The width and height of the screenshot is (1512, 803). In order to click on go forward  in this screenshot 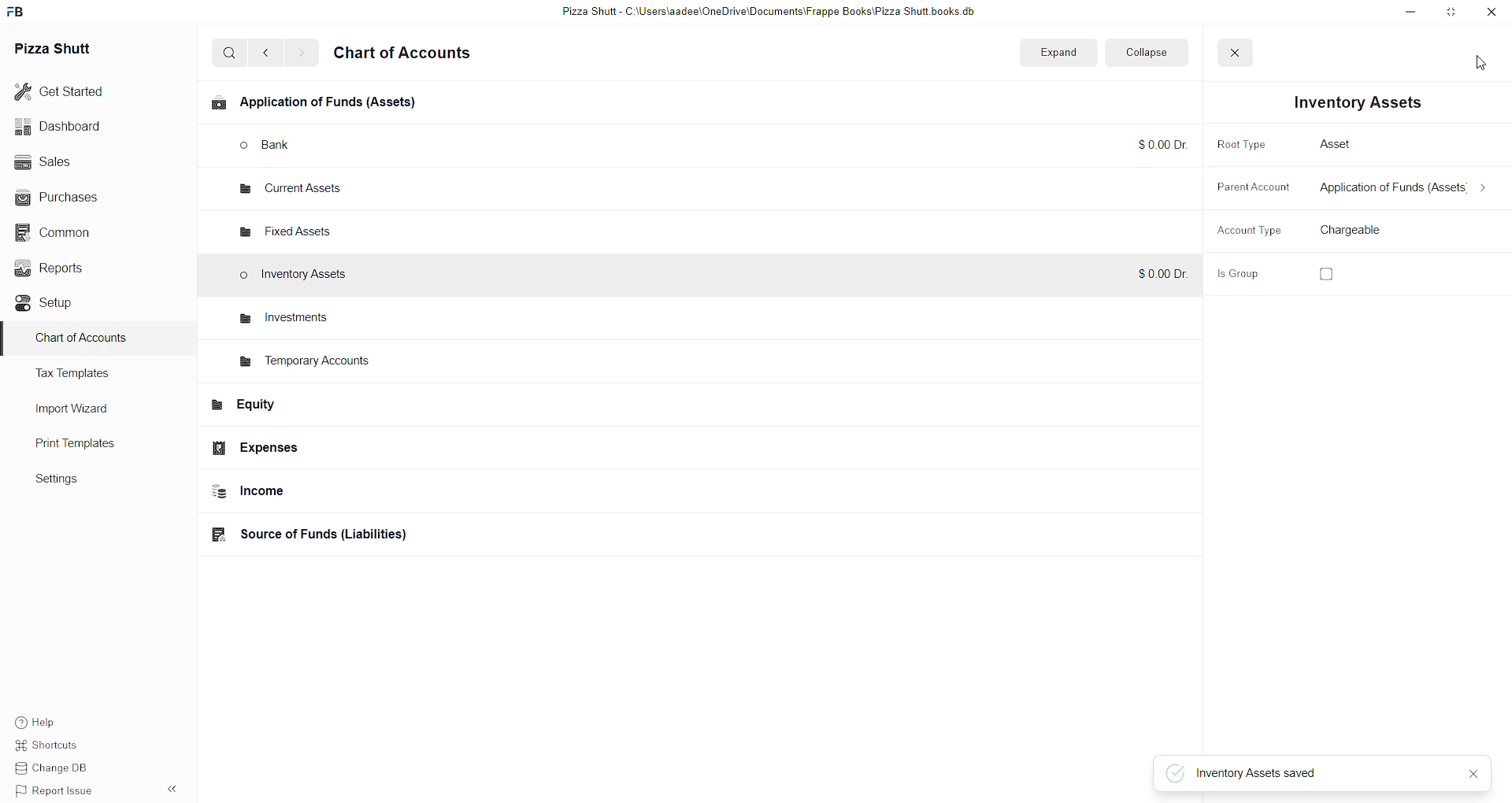, I will do `click(301, 54)`.